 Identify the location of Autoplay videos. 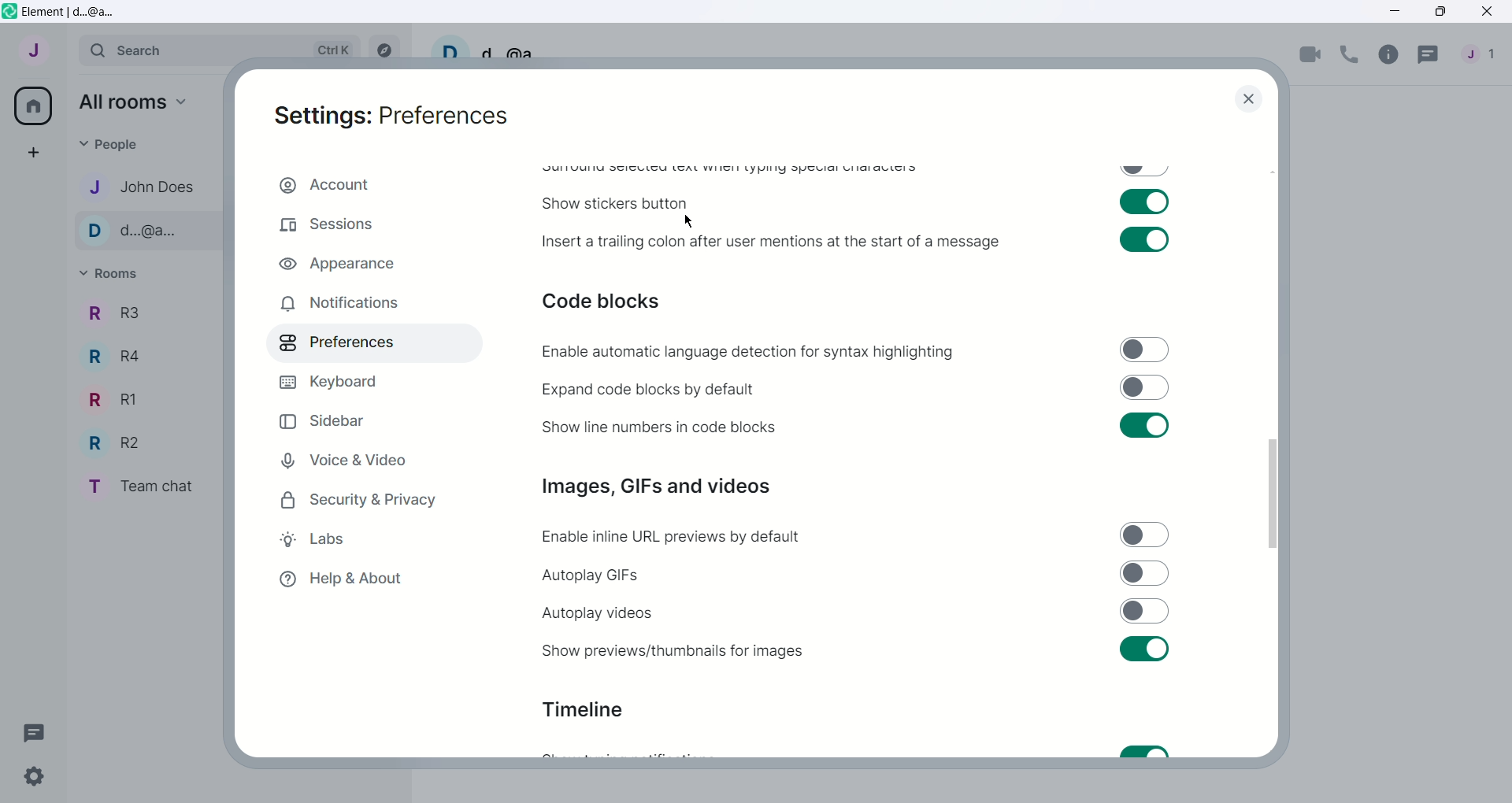
(596, 613).